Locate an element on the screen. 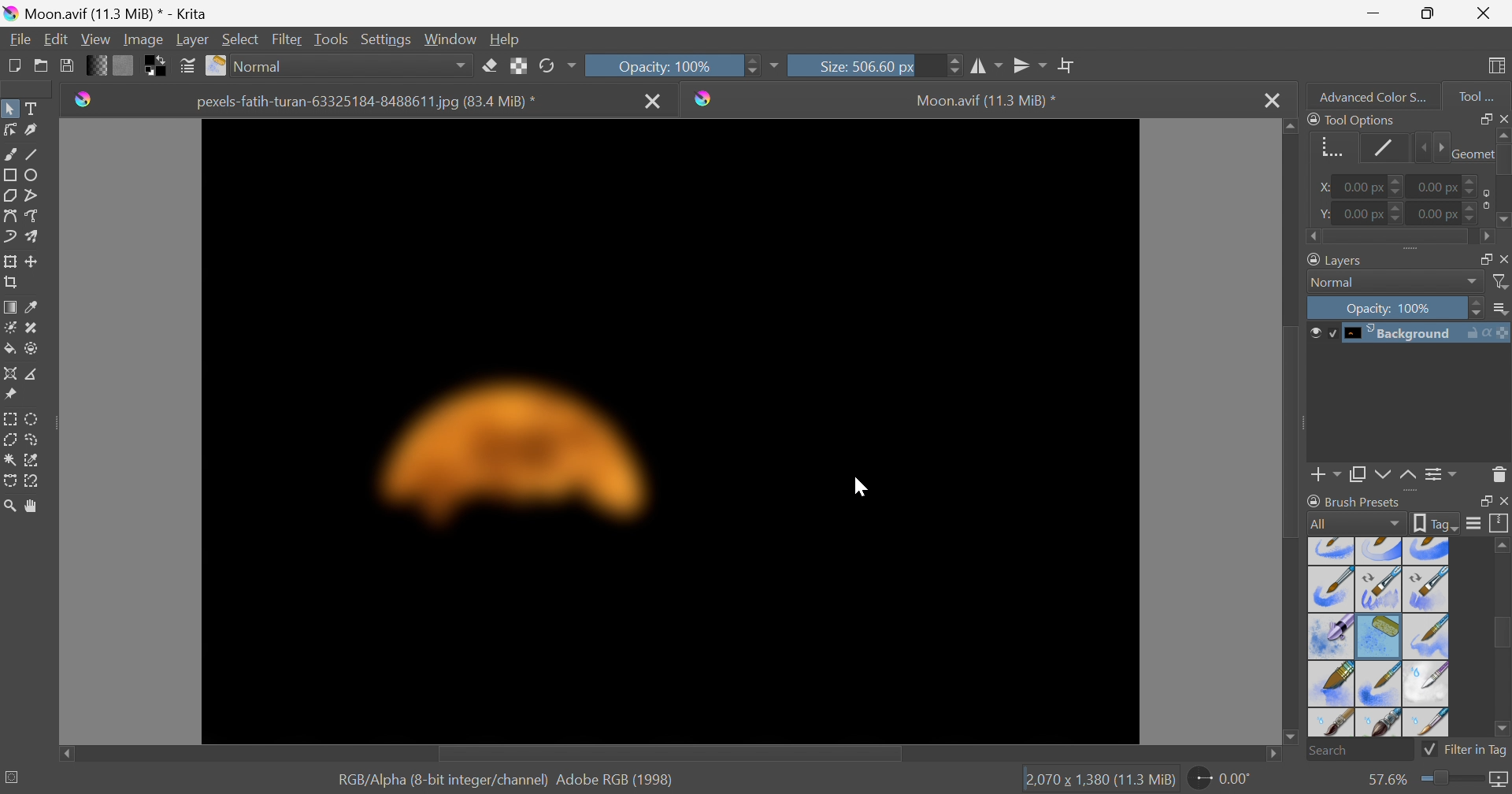 Image resolution: width=1512 pixels, height=794 pixels. Scroll left is located at coordinates (1314, 237).